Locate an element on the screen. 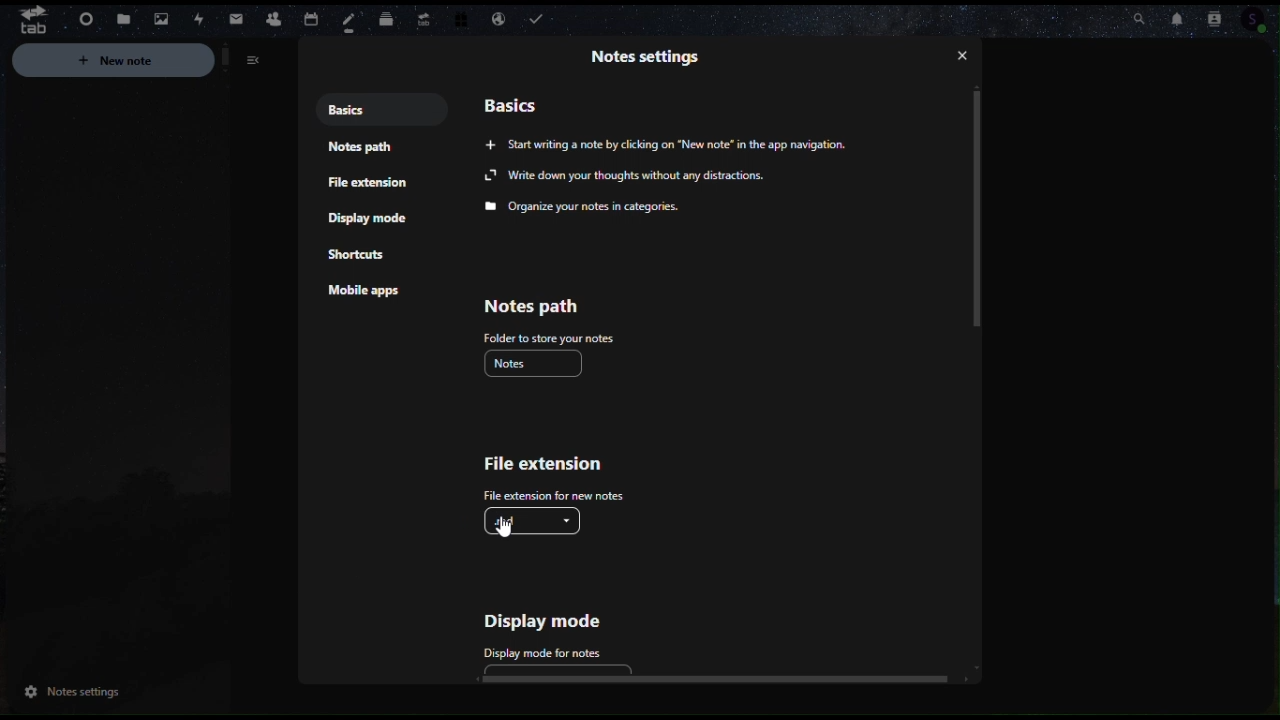 This screenshot has height=720, width=1280. close is located at coordinates (966, 56).